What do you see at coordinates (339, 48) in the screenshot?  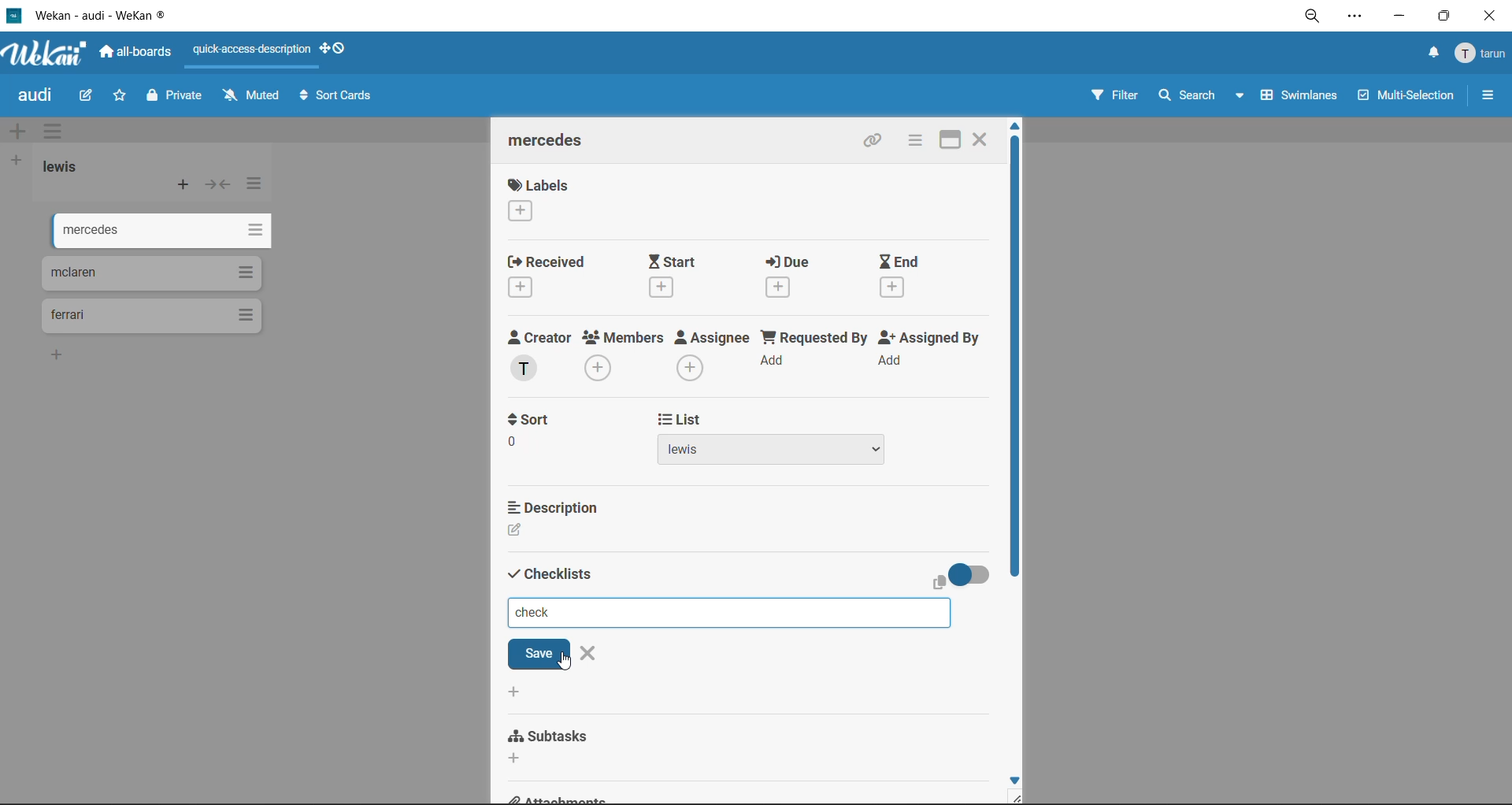 I see `show desktop drag handles` at bounding box center [339, 48].